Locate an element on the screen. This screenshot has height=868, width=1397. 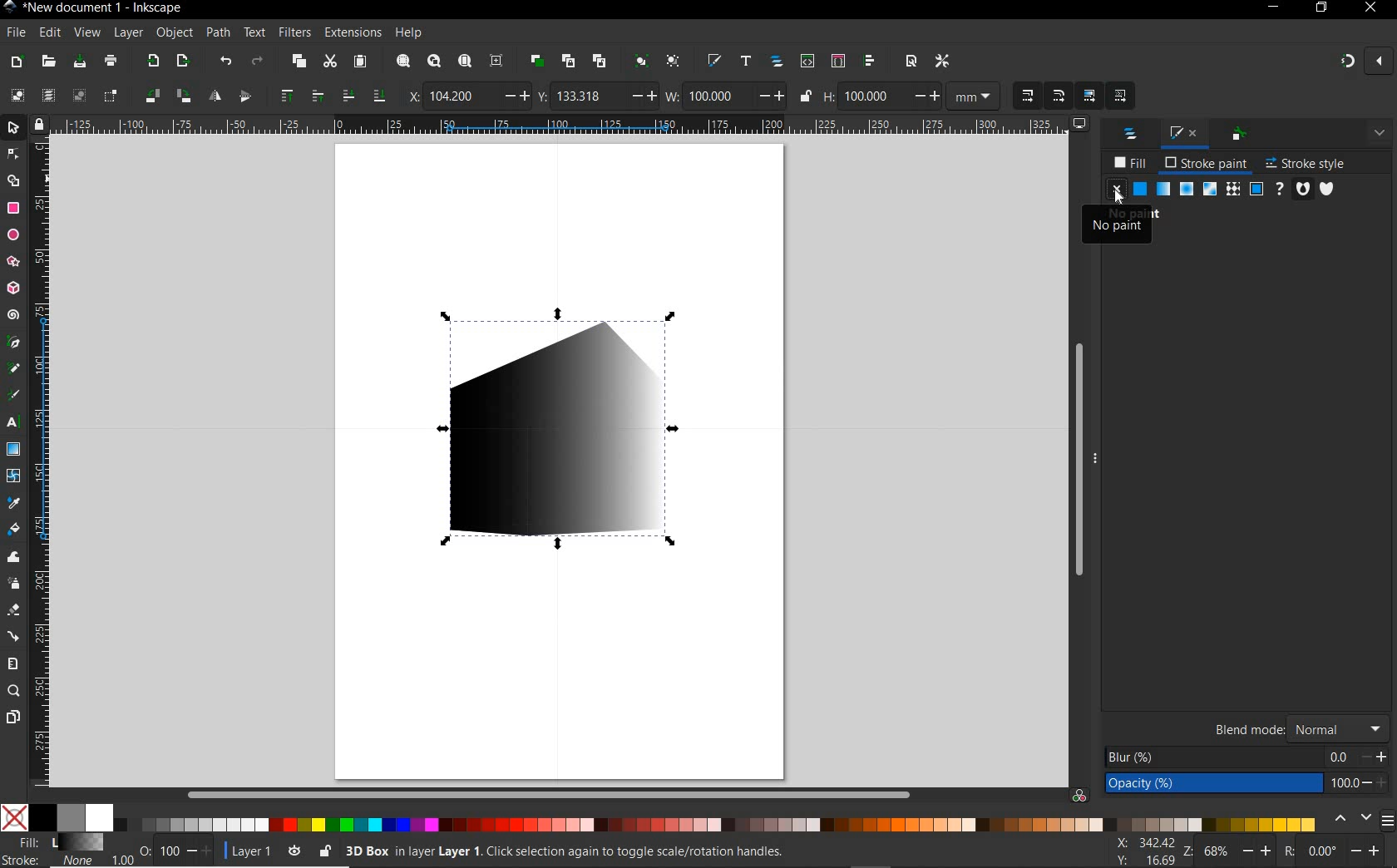
RESTORE DOWN is located at coordinates (1320, 7).